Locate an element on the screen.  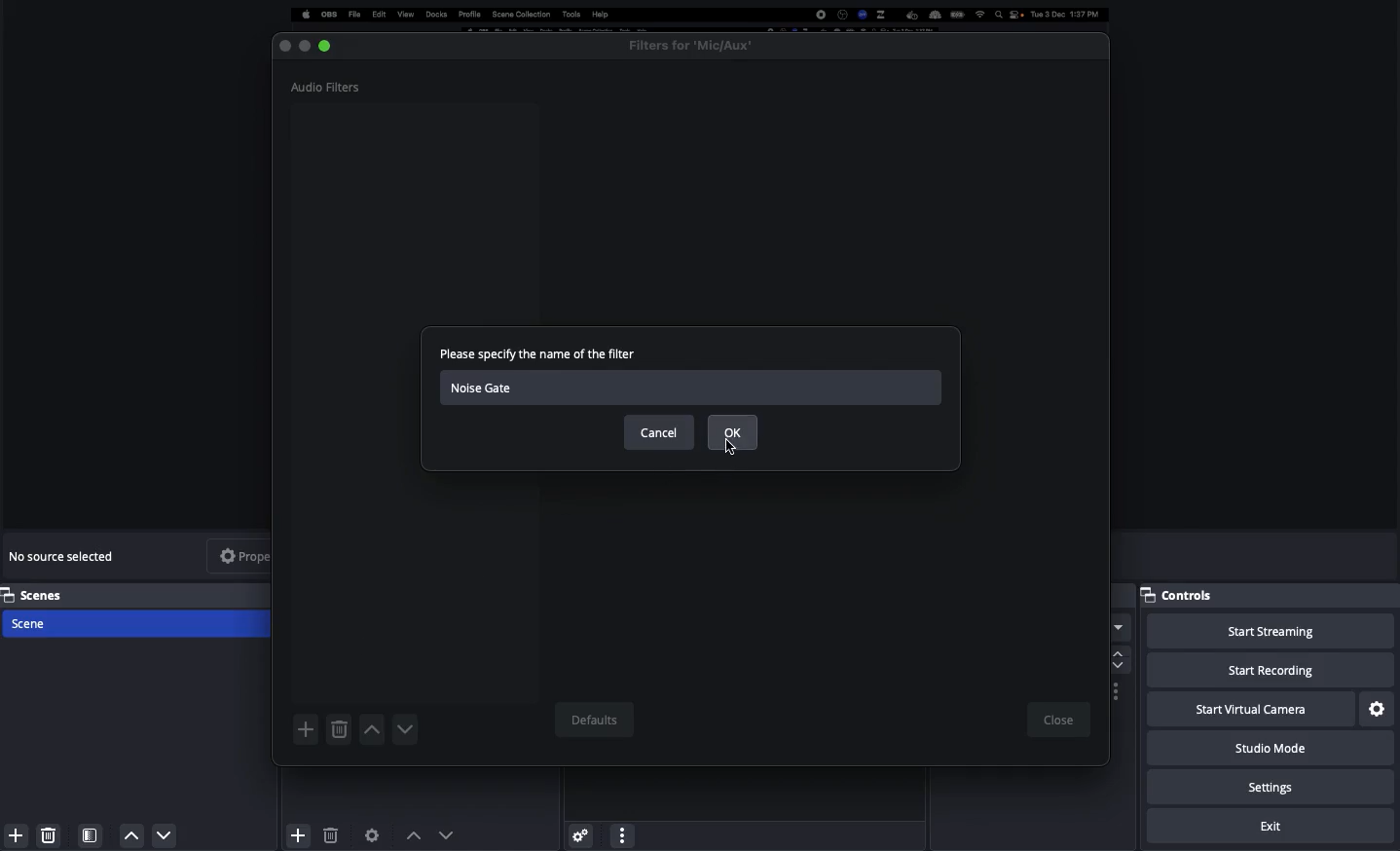
Down is located at coordinates (406, 730).